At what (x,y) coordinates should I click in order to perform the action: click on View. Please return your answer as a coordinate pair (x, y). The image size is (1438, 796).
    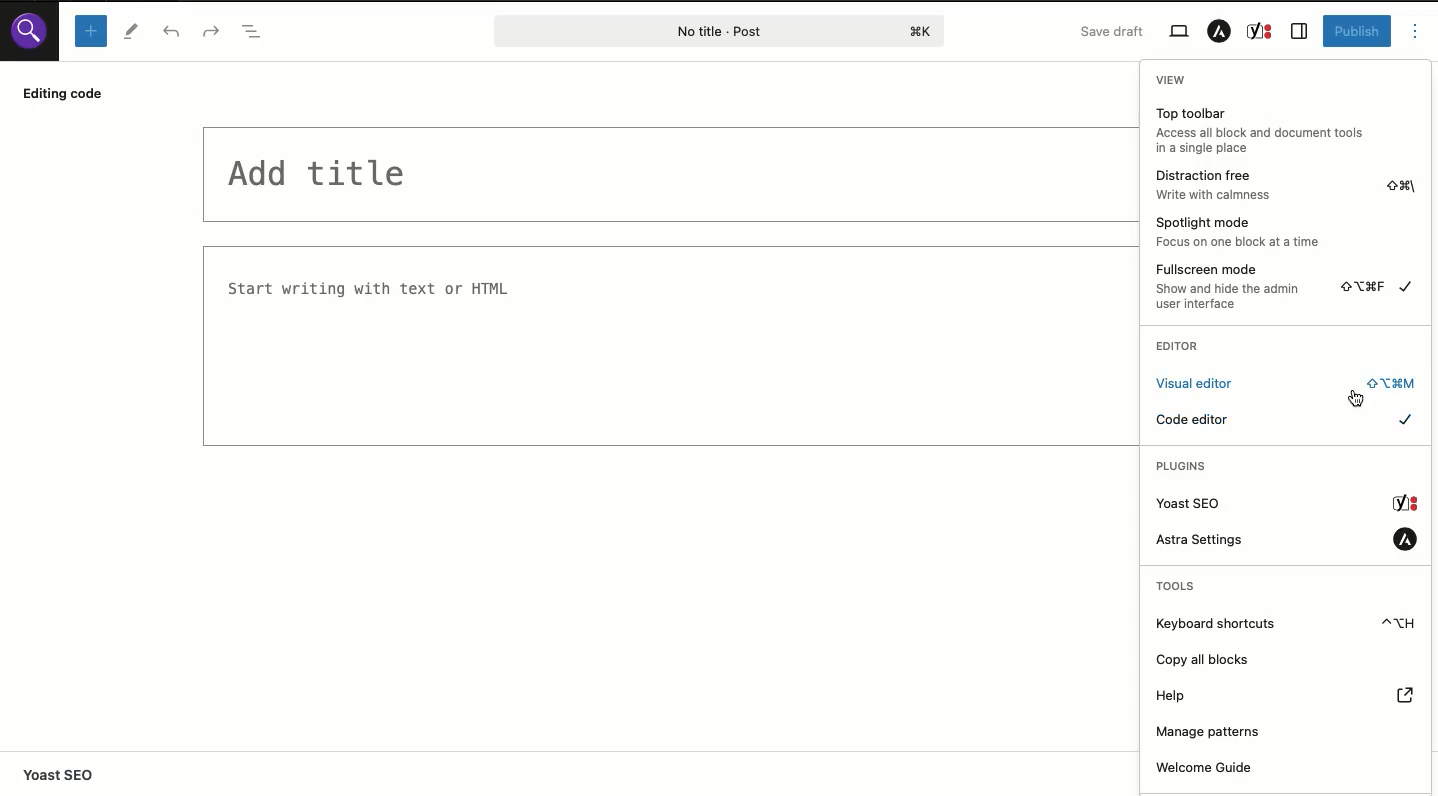
    Looking at the image, I should click on (1174, 78).